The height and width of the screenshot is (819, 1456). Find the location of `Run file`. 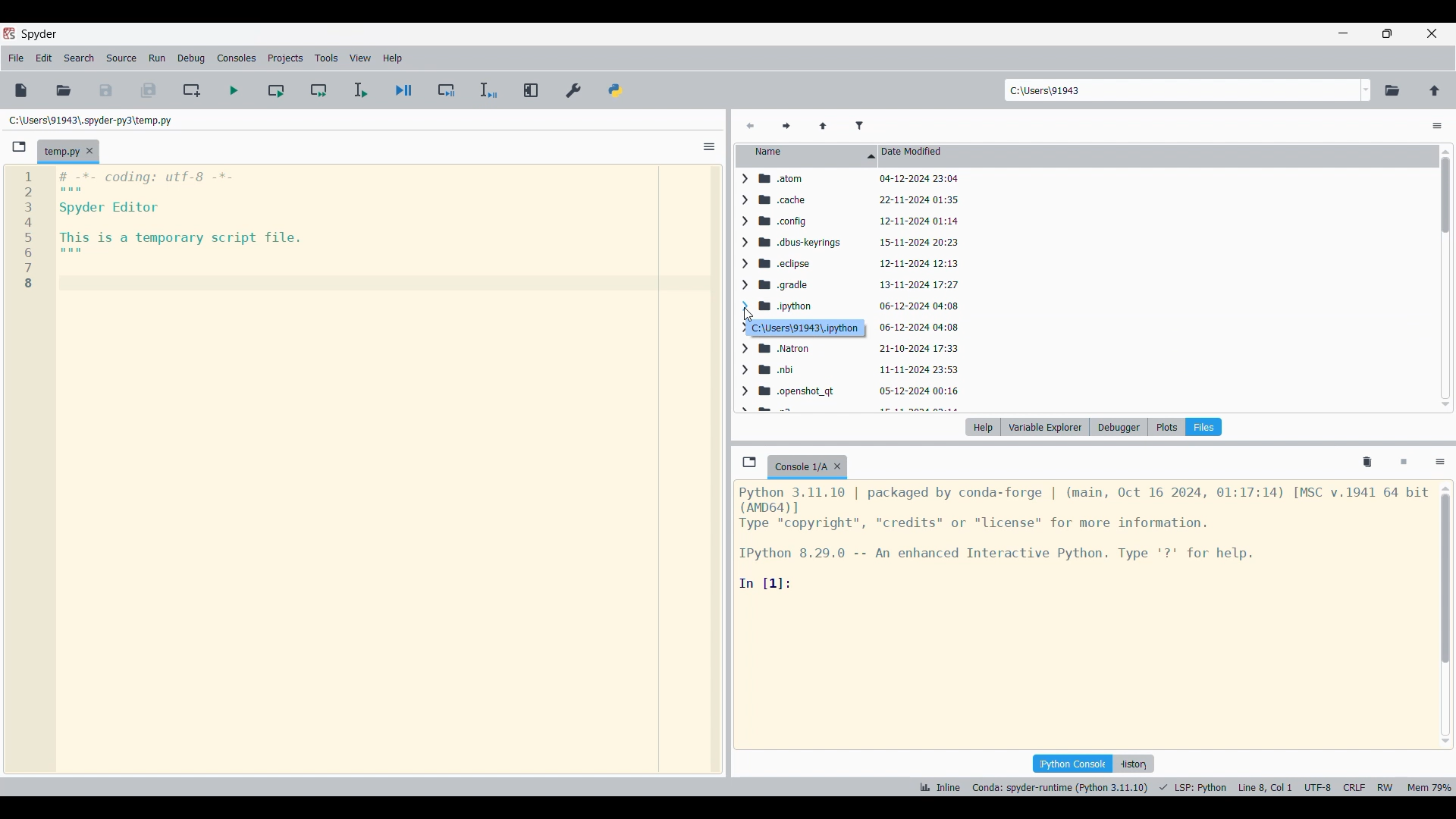

Run file is located at coordinates (234, 90).